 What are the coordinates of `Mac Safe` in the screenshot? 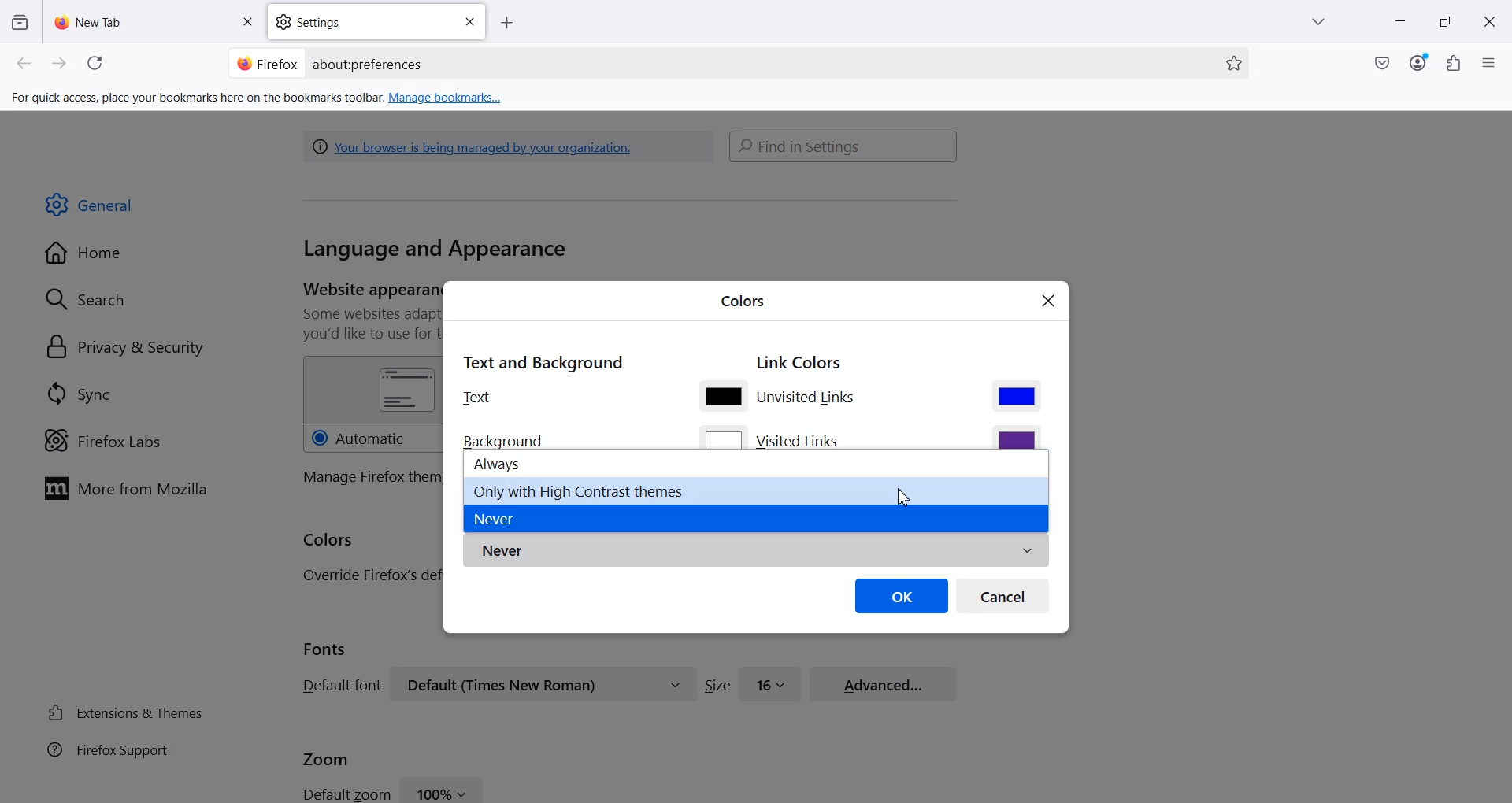 It's located at (1382, 63).